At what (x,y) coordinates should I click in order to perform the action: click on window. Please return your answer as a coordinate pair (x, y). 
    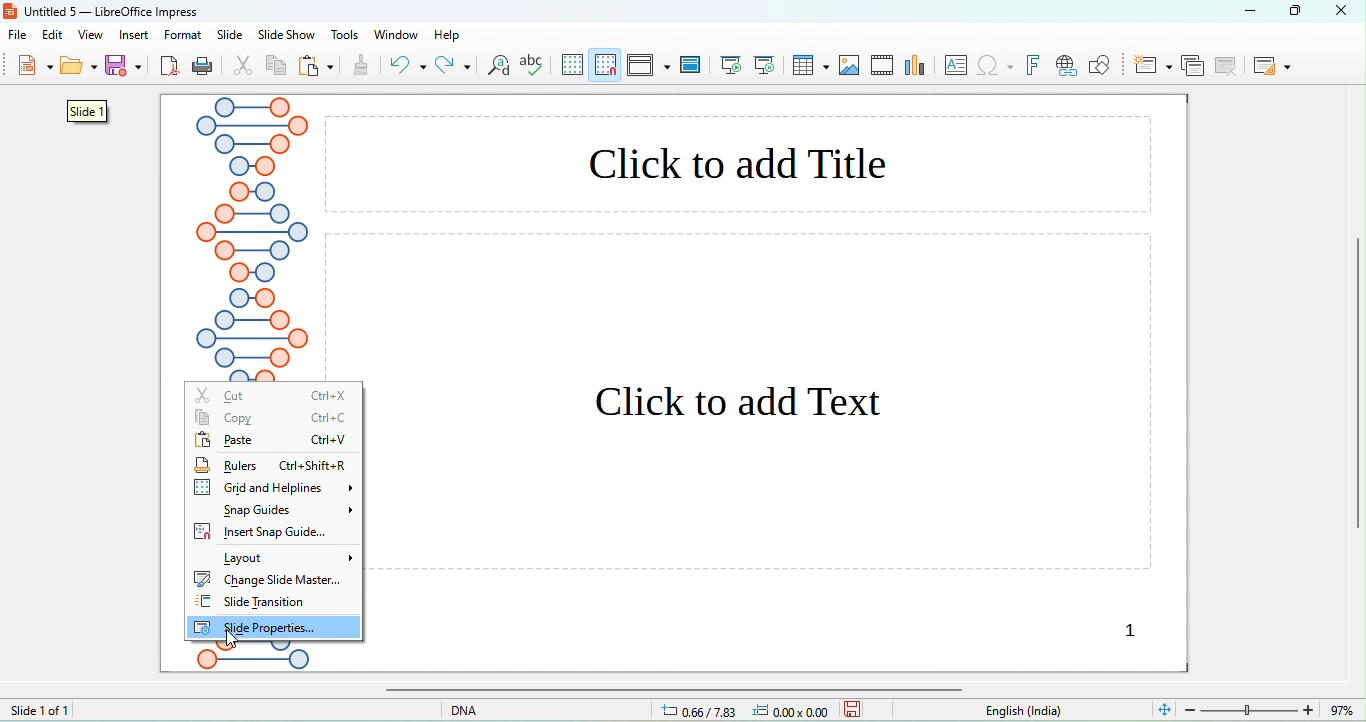
    Looking at the image, I should click on (394, 34).